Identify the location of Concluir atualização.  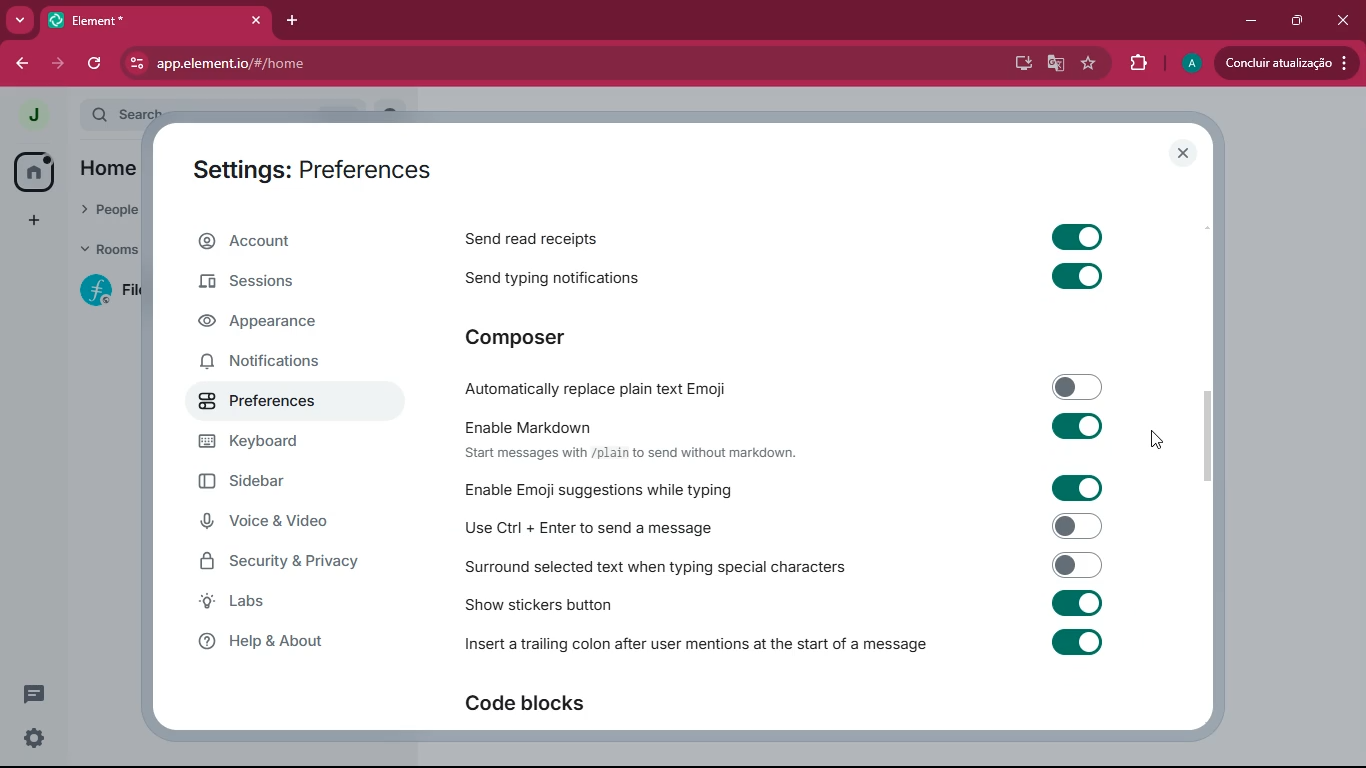
(1290, 63).